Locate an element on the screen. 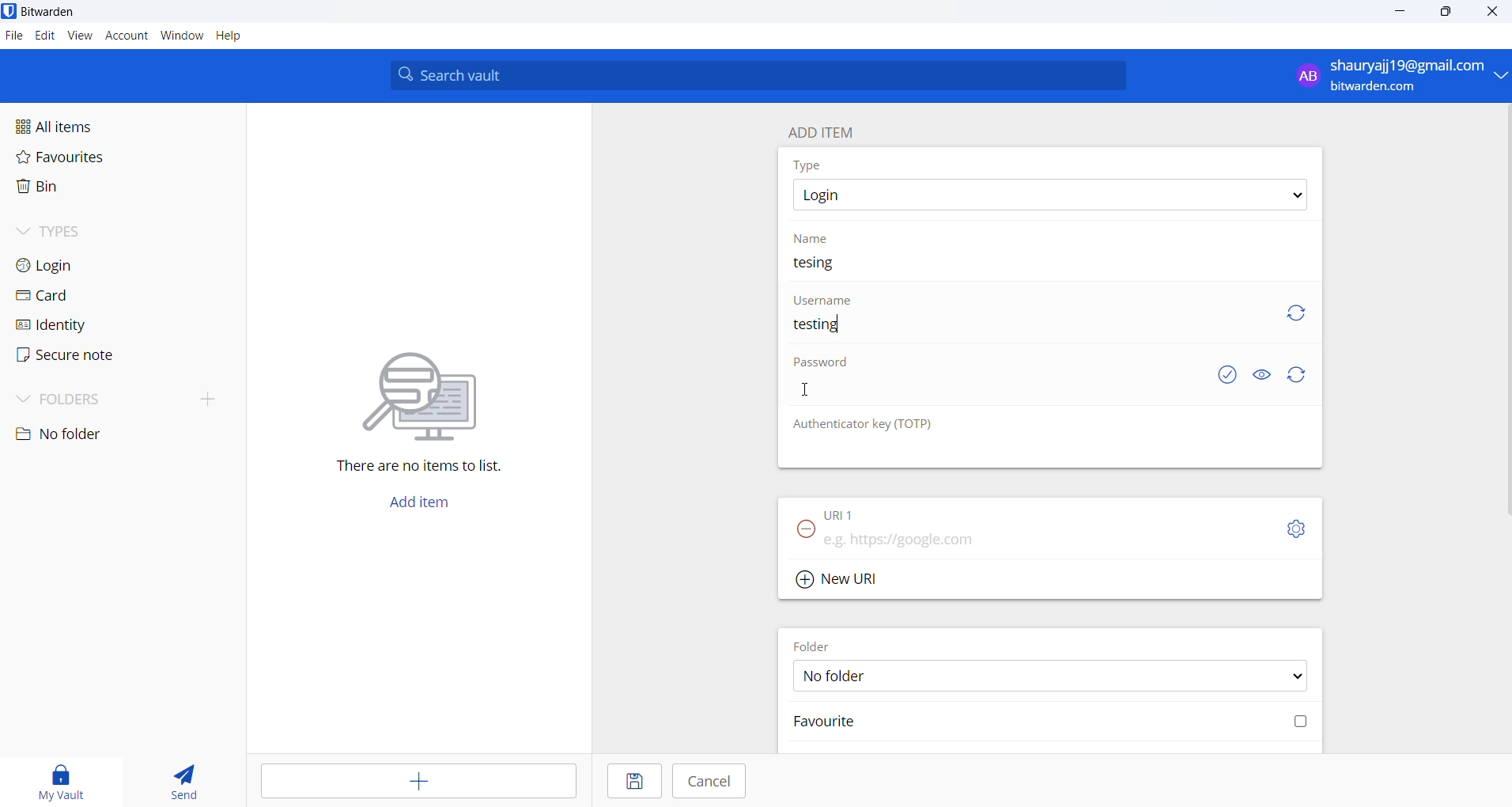 This screenshot has height=807, width=1512. vector image representing searching for file is located at coordinates (430, 385).